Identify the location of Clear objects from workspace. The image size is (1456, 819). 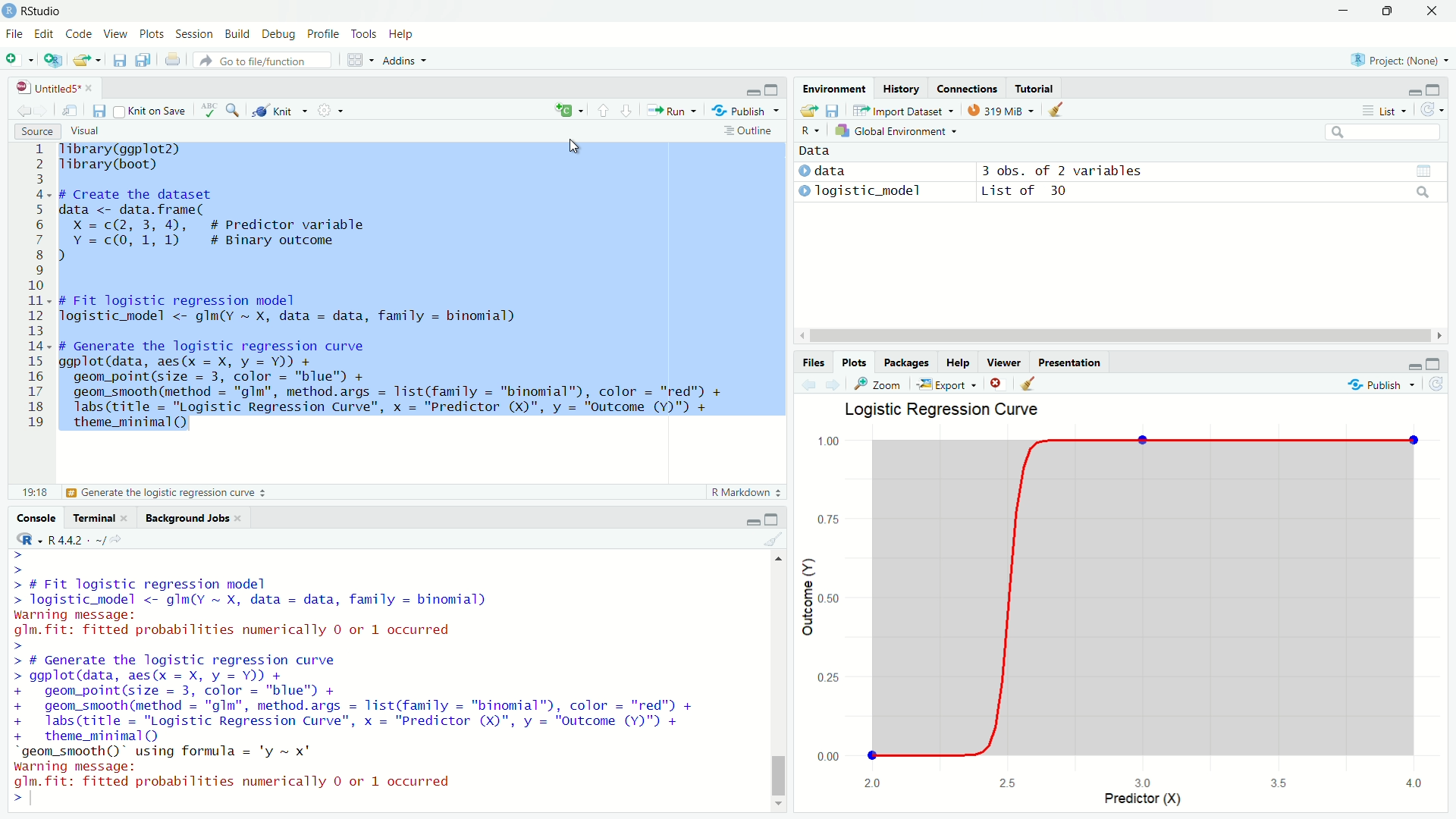
(1058, 109).